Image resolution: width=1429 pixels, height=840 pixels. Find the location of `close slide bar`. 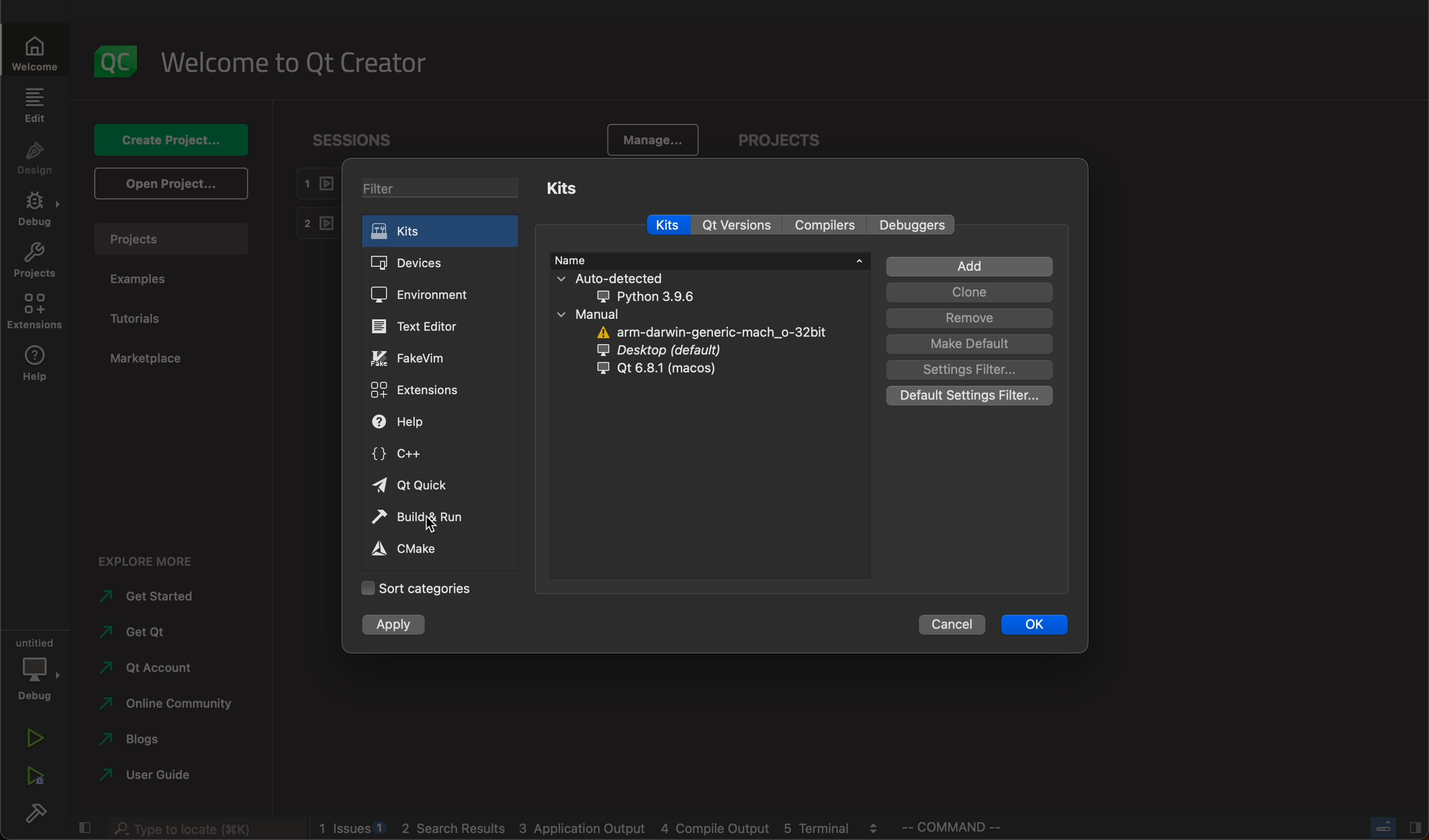

close slide bar is located at coordinates (1394, 826).